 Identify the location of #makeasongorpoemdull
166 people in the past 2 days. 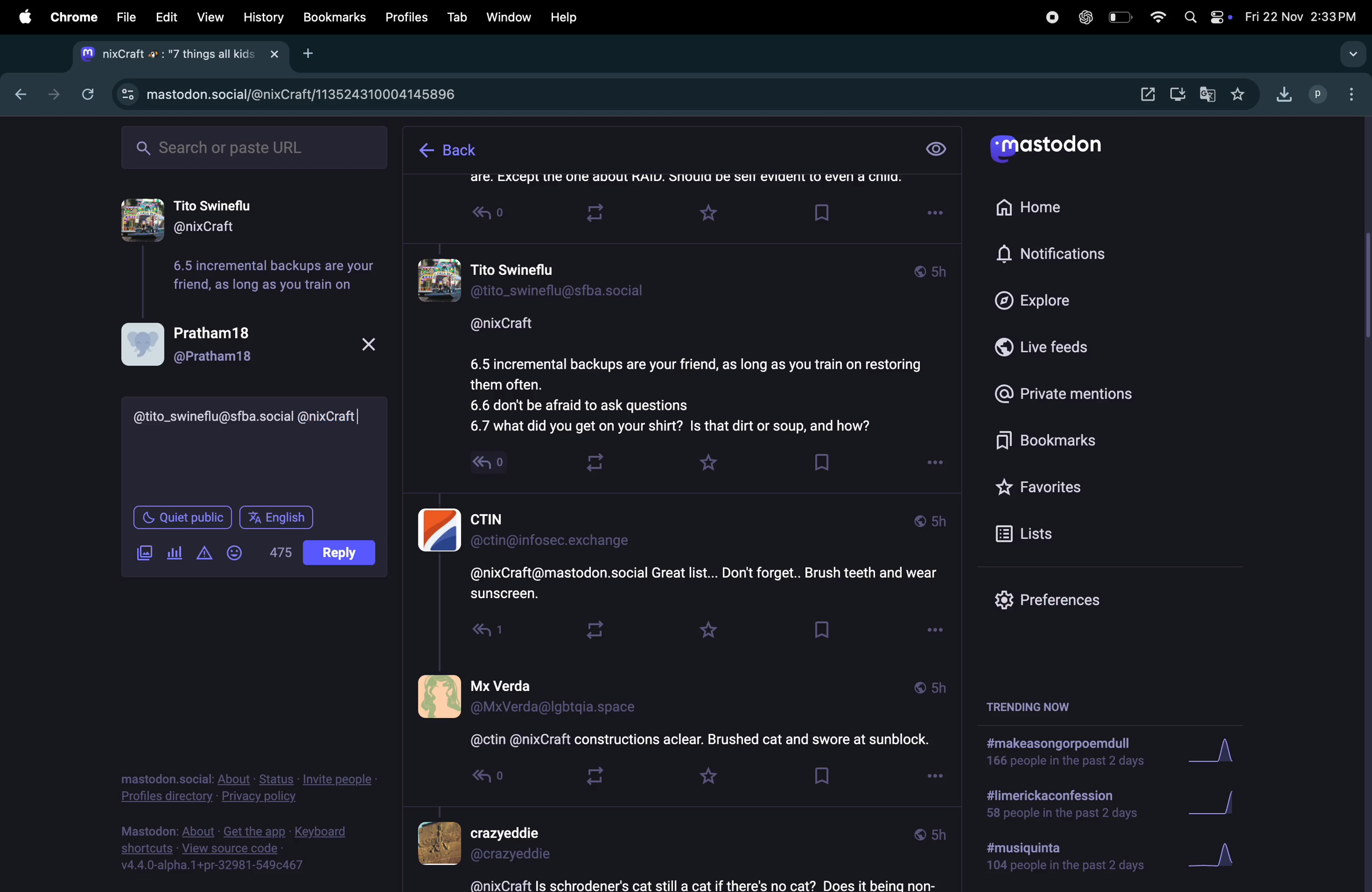
(1063, 754).